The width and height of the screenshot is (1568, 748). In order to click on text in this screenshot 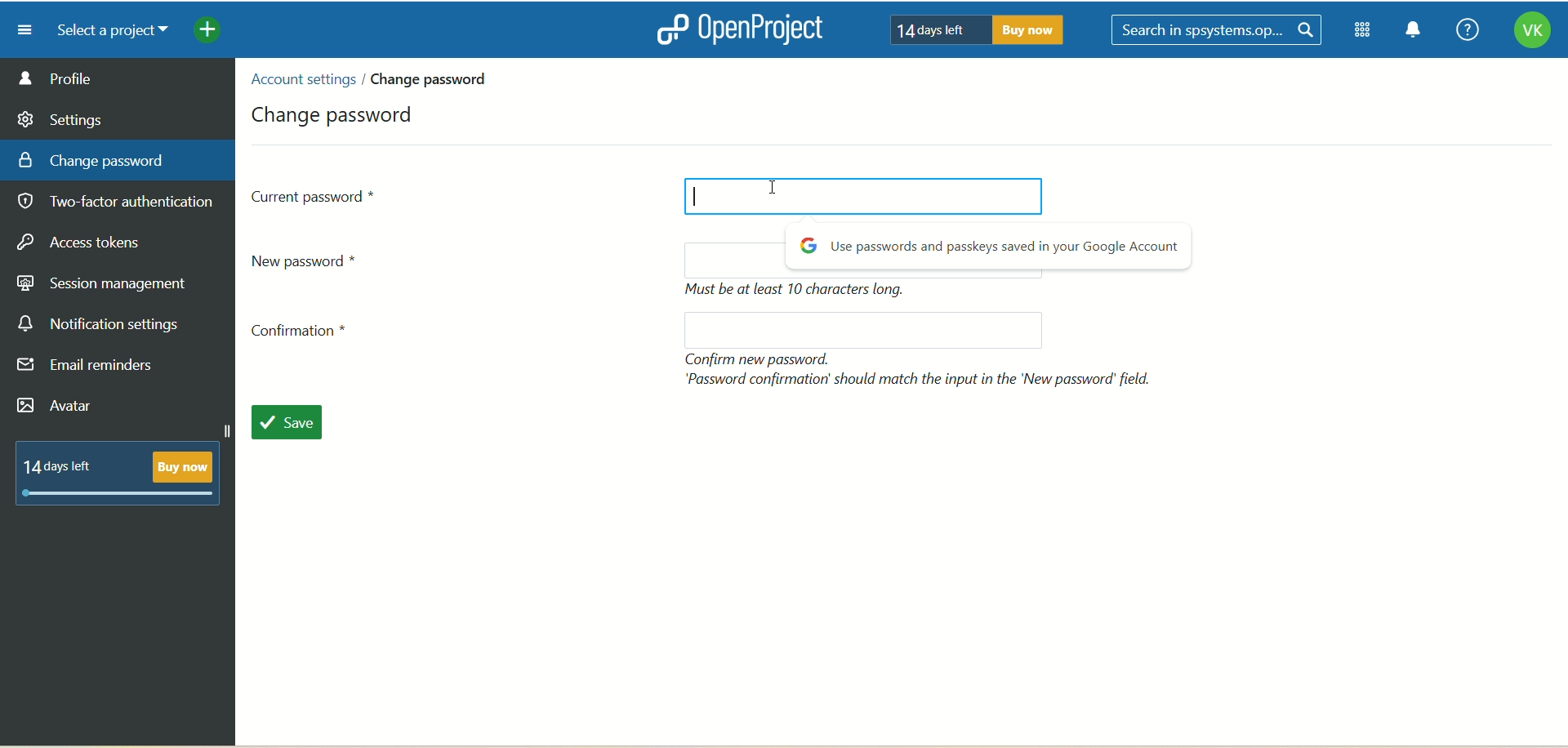, I will do `click(971, 29)`.